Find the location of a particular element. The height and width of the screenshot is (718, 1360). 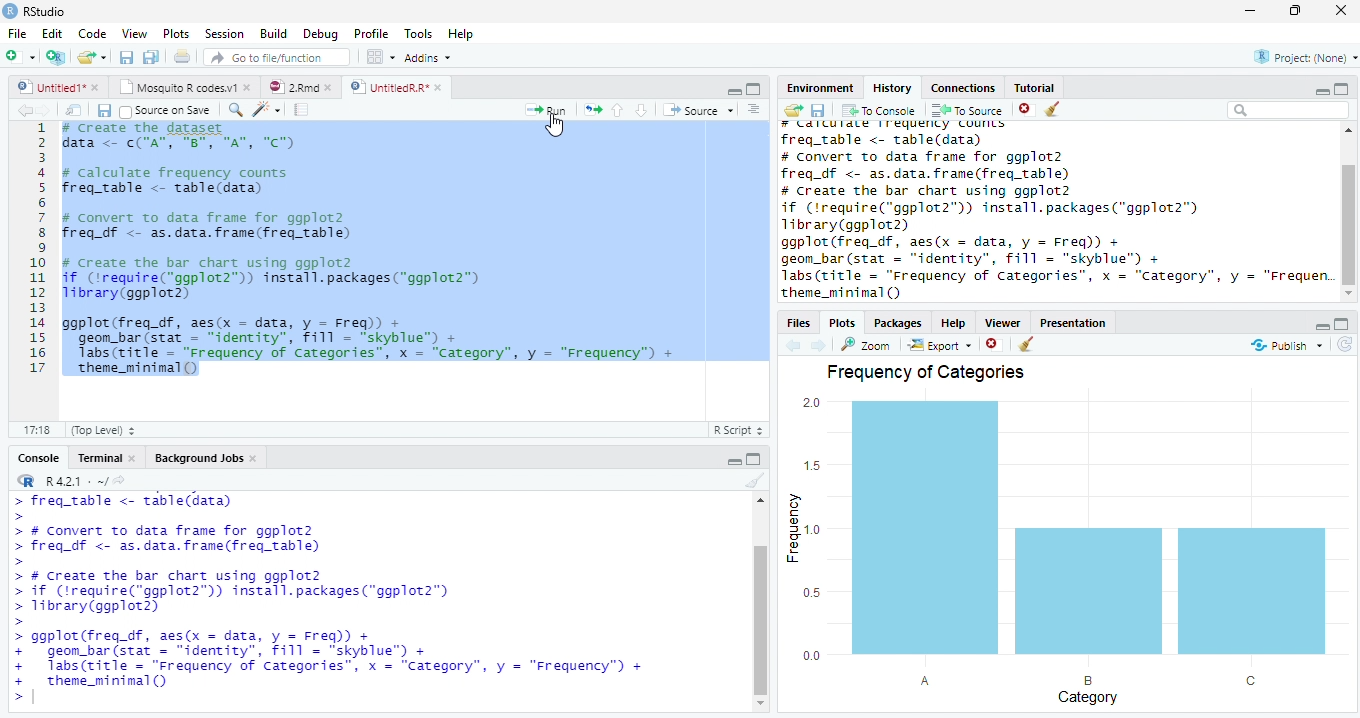

Maximize is located at coordinates (1343, 88).